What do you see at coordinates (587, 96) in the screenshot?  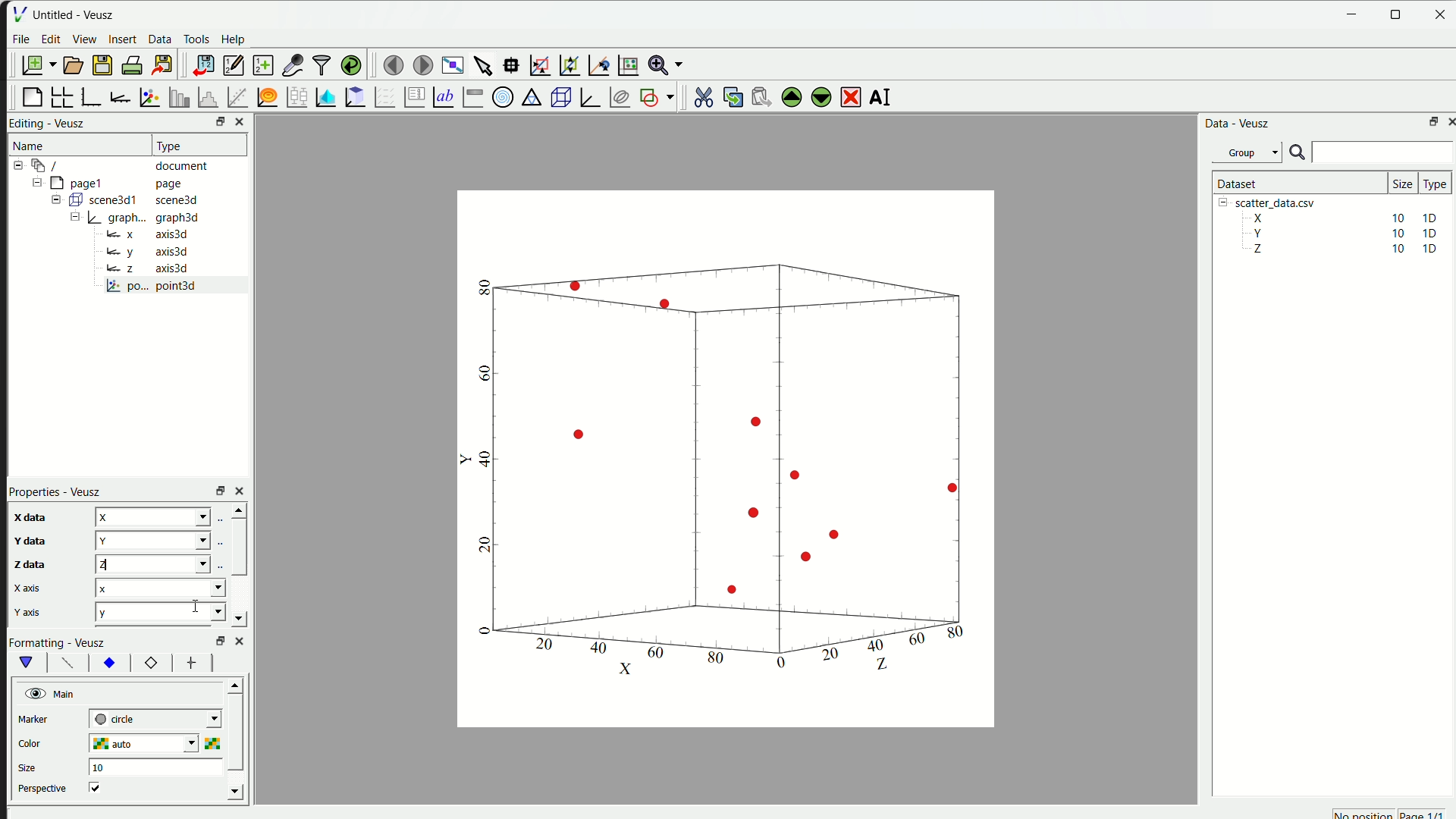 I see `3D Graph` at bounding box center [587, 96].